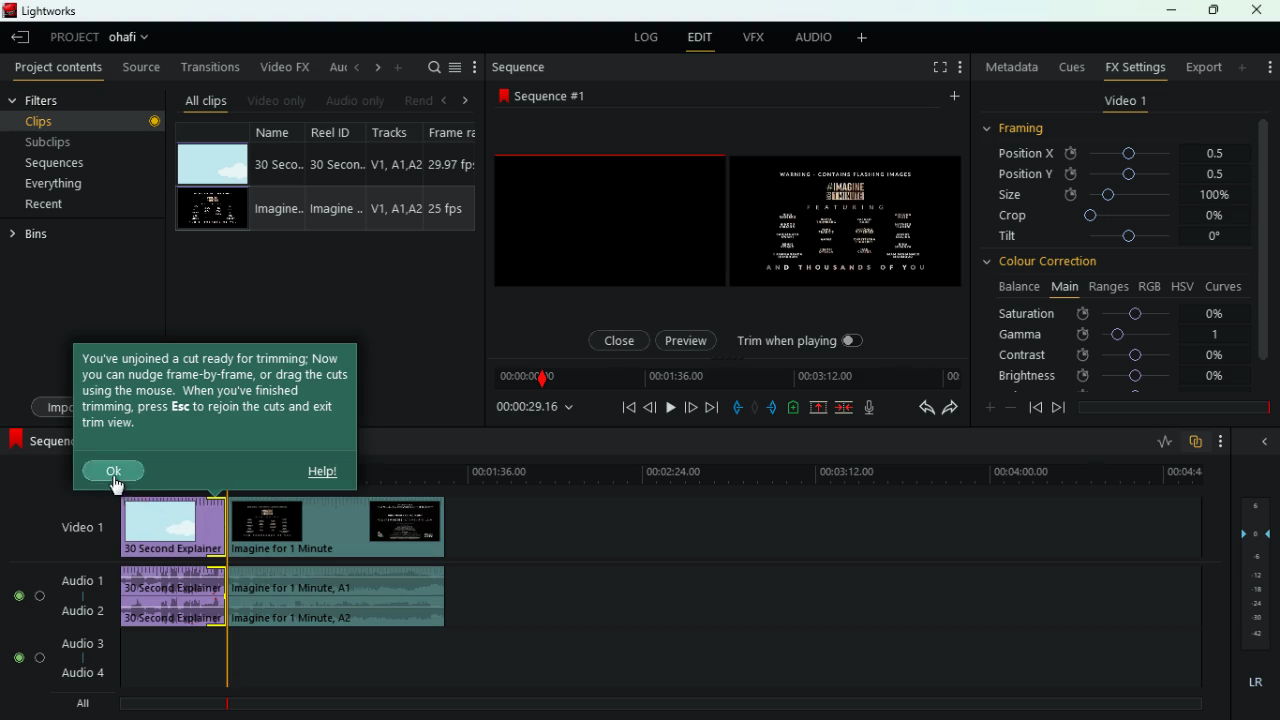 The width and height of the screenshot is (1280, 720). Describe the element at coordinates (940, 69) in the screenshot. I see `full screen` at that location.